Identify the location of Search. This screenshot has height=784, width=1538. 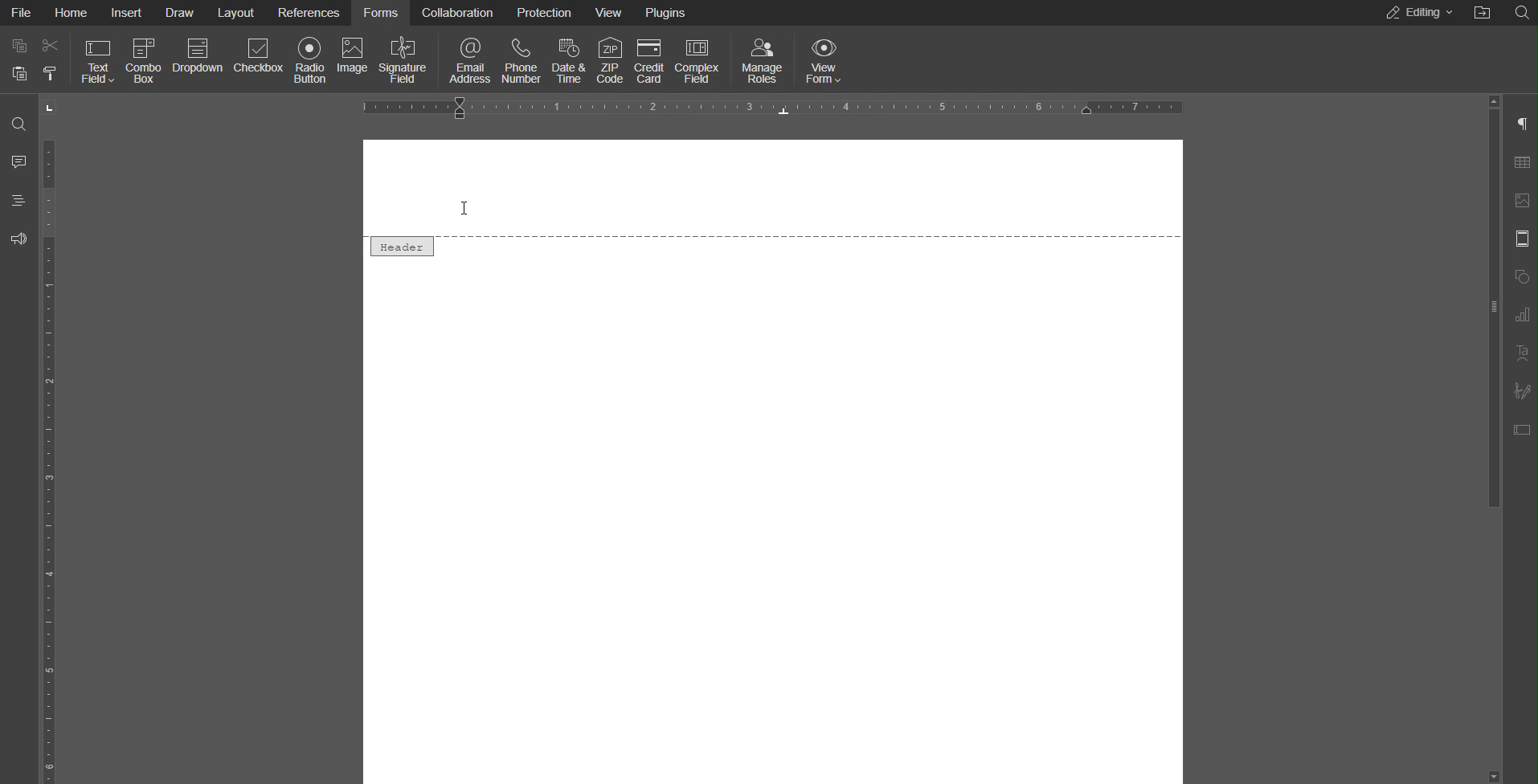
(18, 125).